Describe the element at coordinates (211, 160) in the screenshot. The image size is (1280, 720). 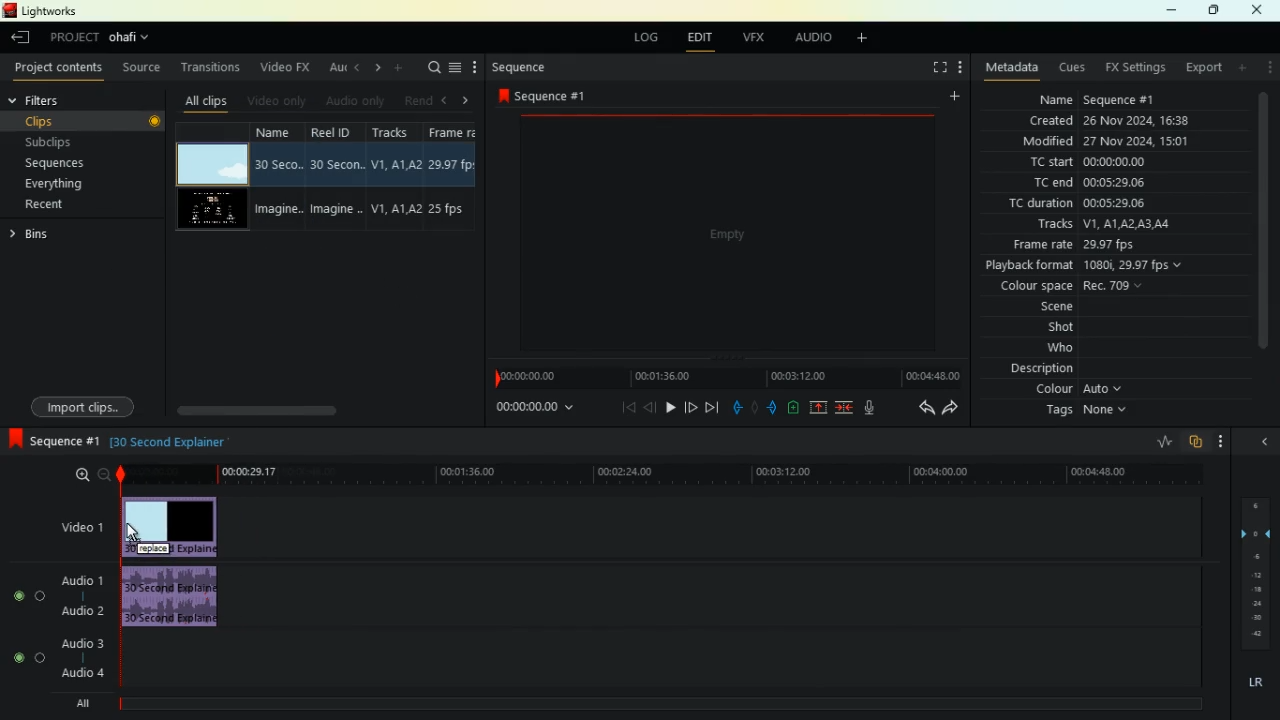
I see `video` at that location.